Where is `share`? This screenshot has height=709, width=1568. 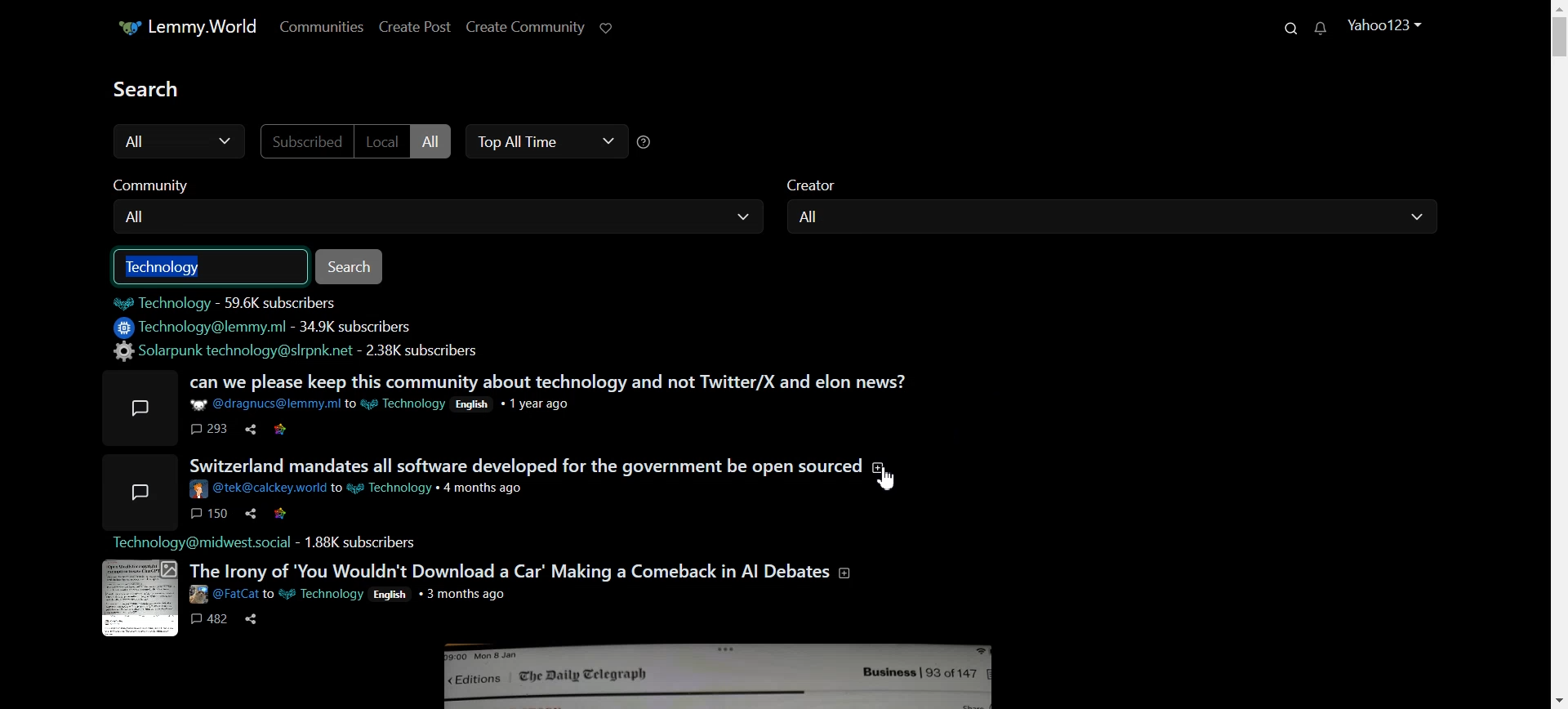 share is located at coordinates (250, 430).